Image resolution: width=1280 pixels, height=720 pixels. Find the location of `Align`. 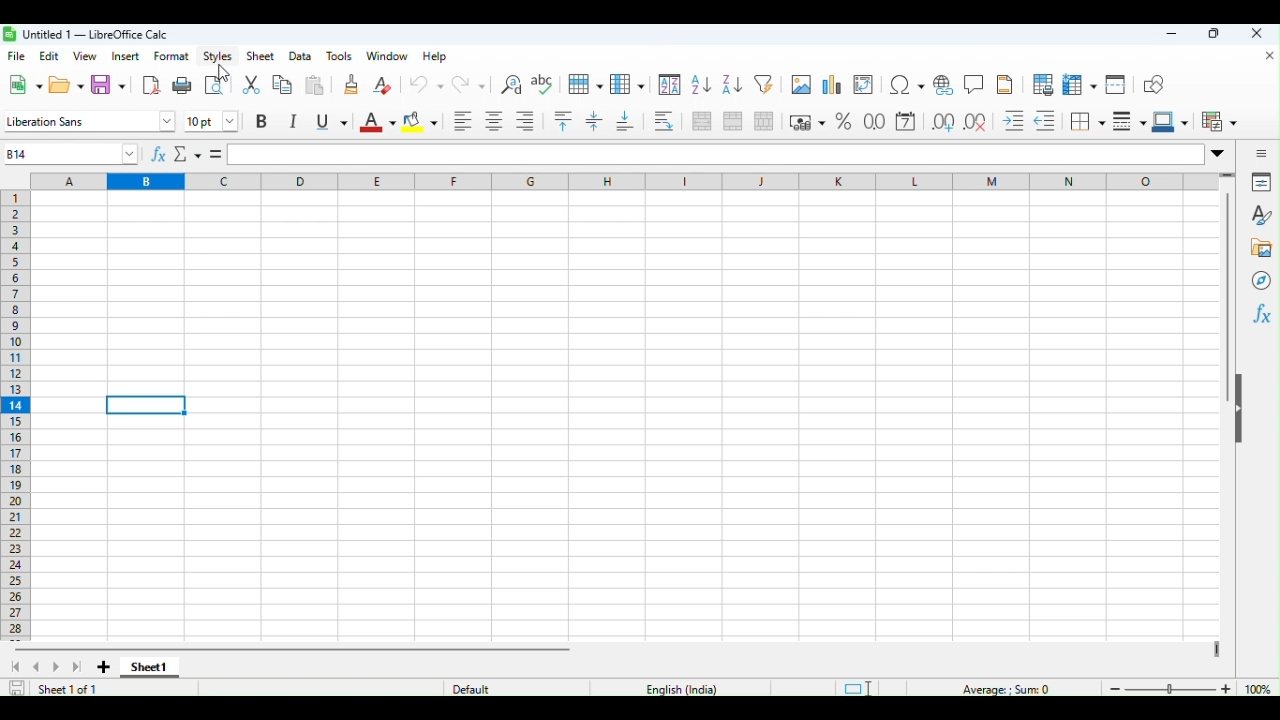

Align is located at coordinates (523, 122).